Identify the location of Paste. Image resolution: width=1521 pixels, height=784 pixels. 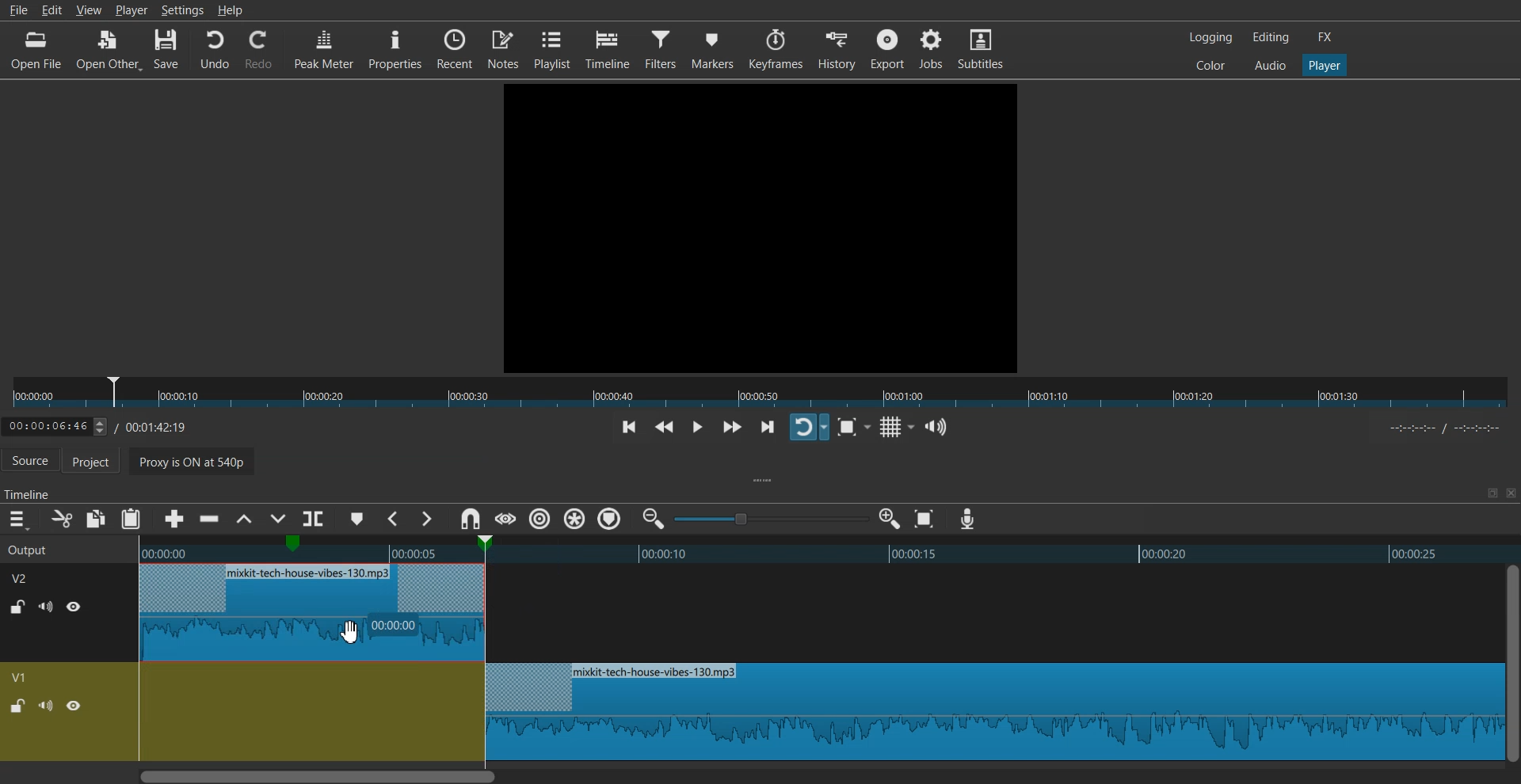
(131, 519).